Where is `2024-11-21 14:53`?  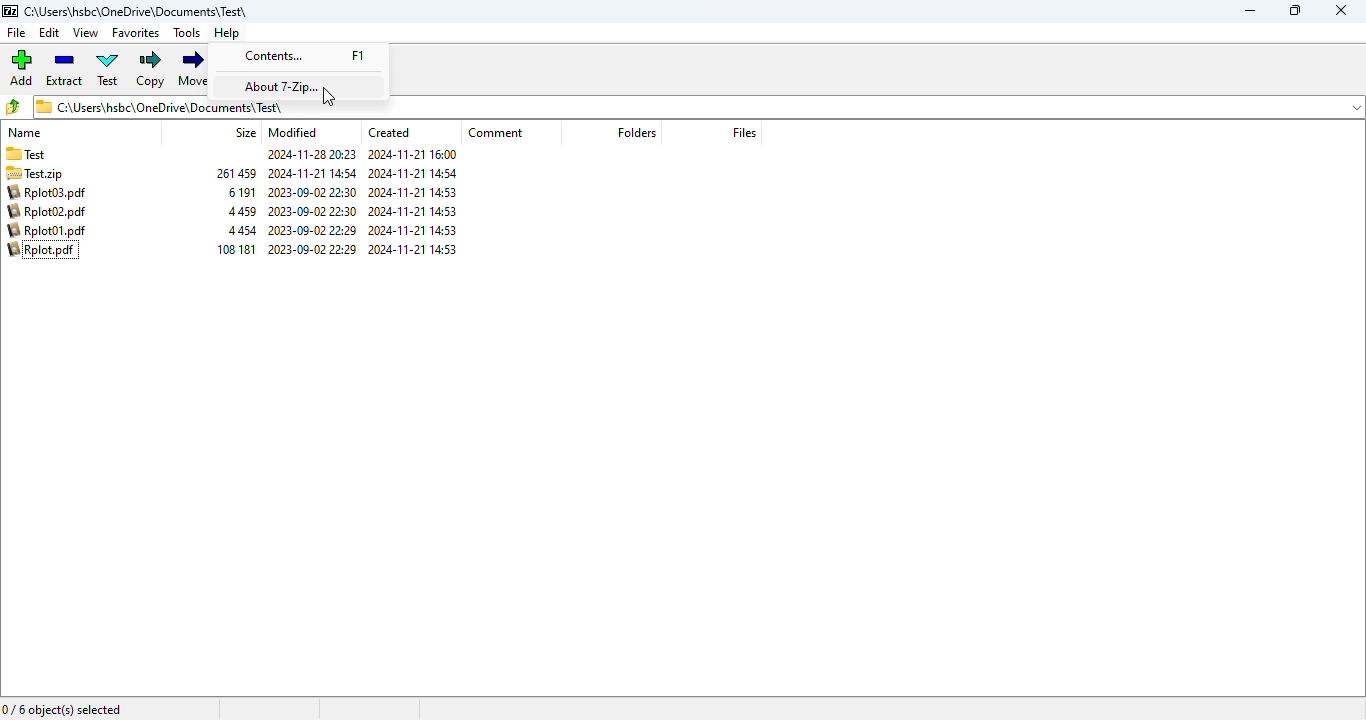 2024-11-21 14:53 is located at coordinates (417, 193).